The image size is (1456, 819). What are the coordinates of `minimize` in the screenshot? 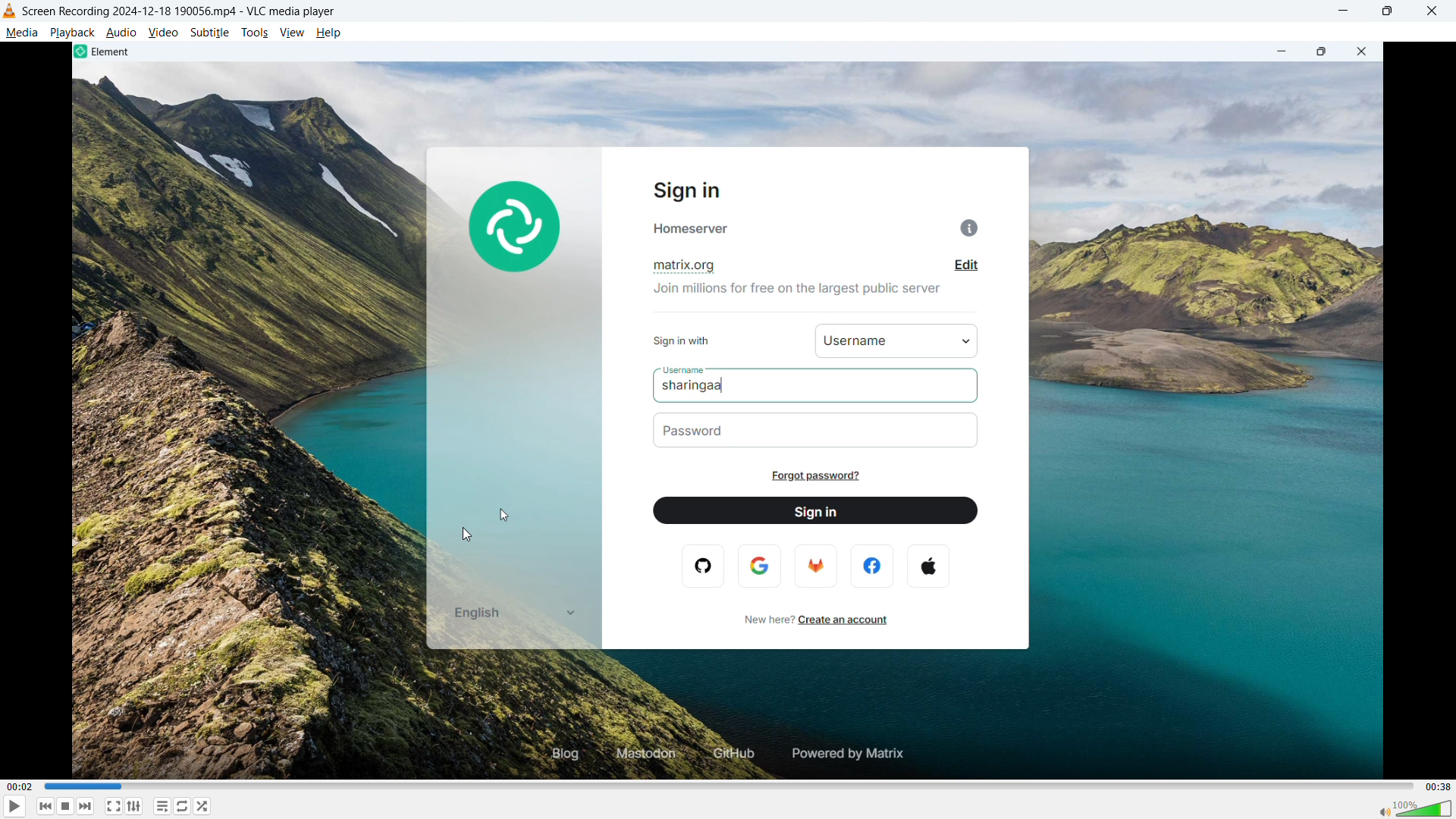 It's located at (1278, 52).